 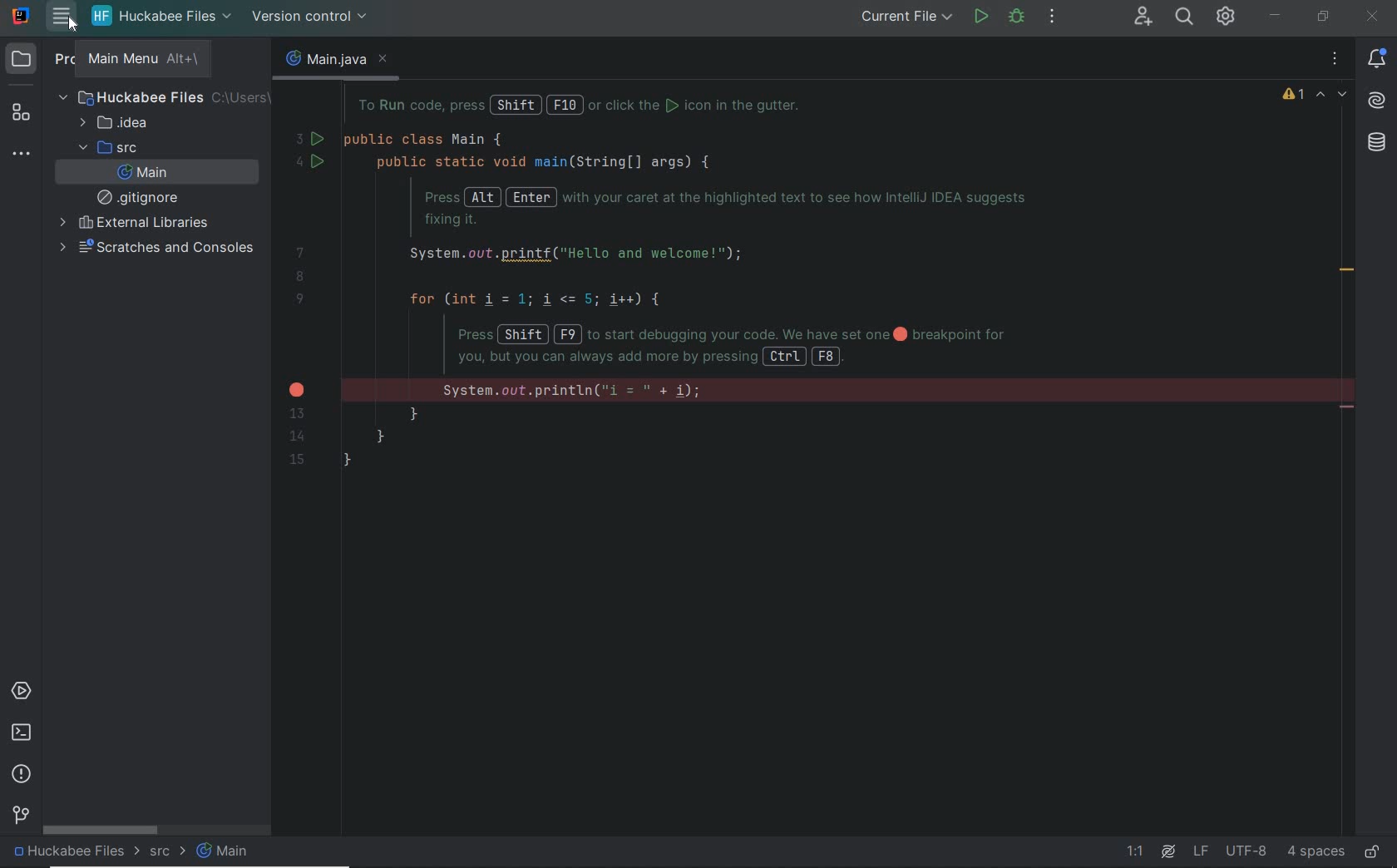 What do you see at coordinates (119, 123) in the screenshot?
I see `idea` at bounding box center [119, 123].